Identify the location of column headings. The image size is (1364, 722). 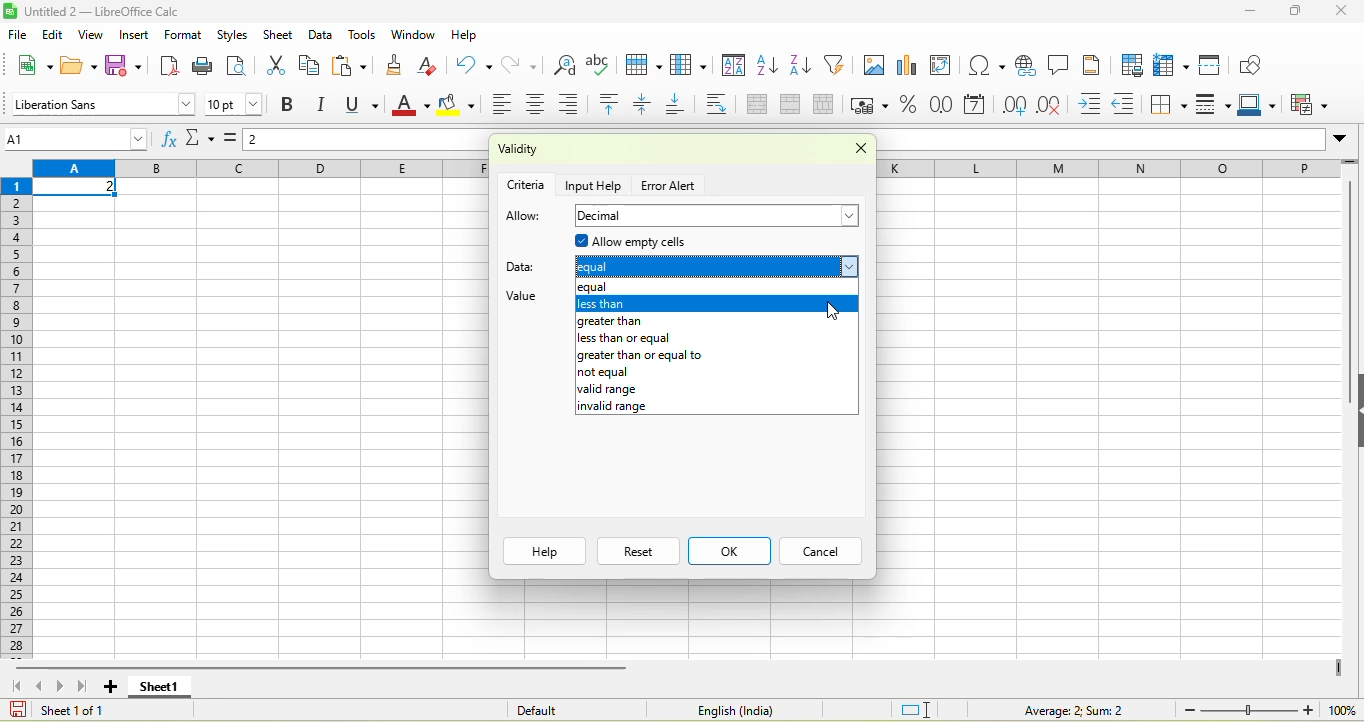
(260, 169).